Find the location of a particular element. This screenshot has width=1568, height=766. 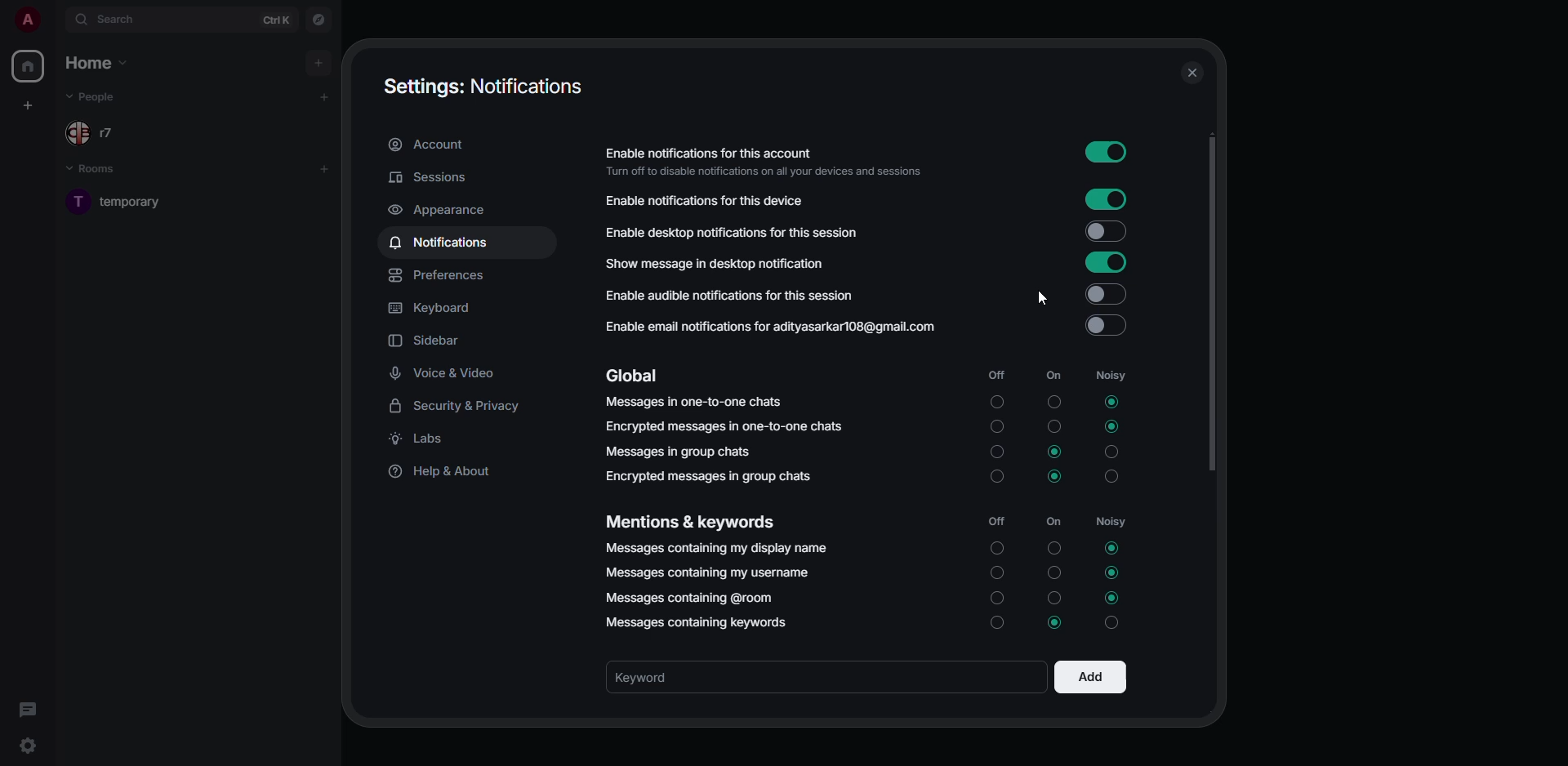

search is located at coordinates (113, 19).